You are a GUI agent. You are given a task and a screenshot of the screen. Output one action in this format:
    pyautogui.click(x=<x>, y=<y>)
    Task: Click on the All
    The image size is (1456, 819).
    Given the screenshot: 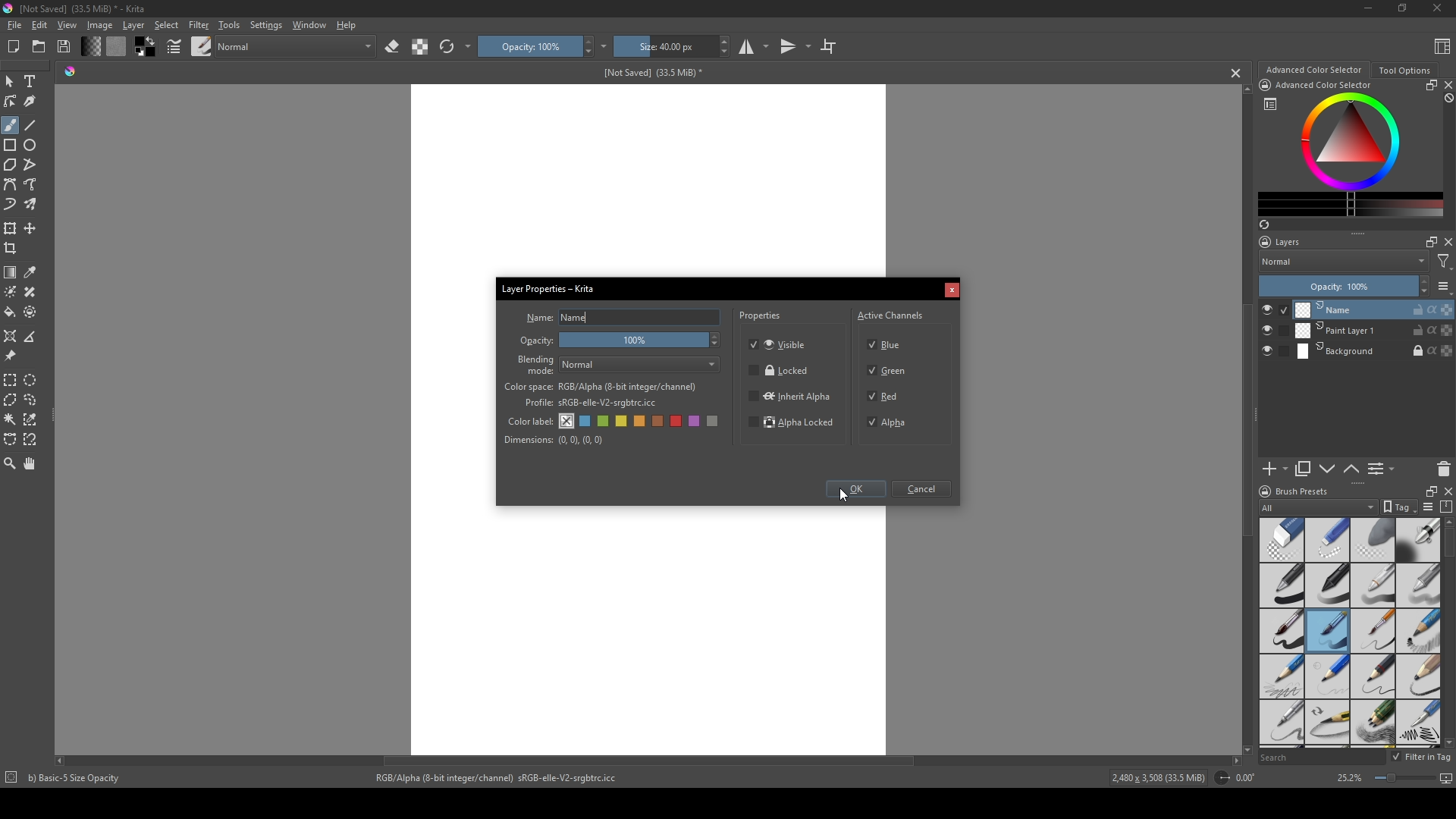 What is the action you would take?
    pyautogui.click(x=1318, y=507)
    